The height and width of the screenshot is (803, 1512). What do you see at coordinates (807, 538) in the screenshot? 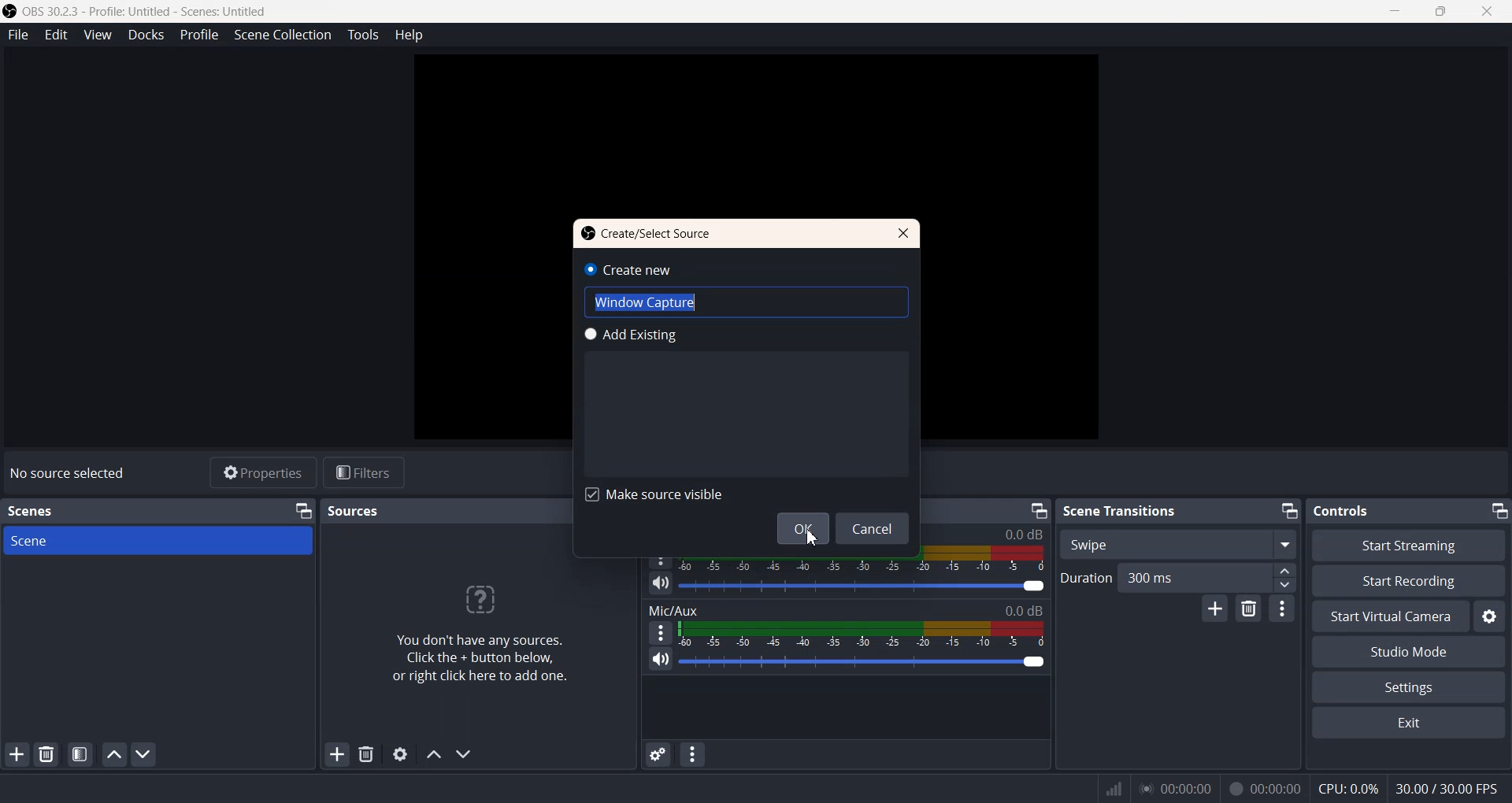
I see `Cursor` at bounding box center [807, 538].